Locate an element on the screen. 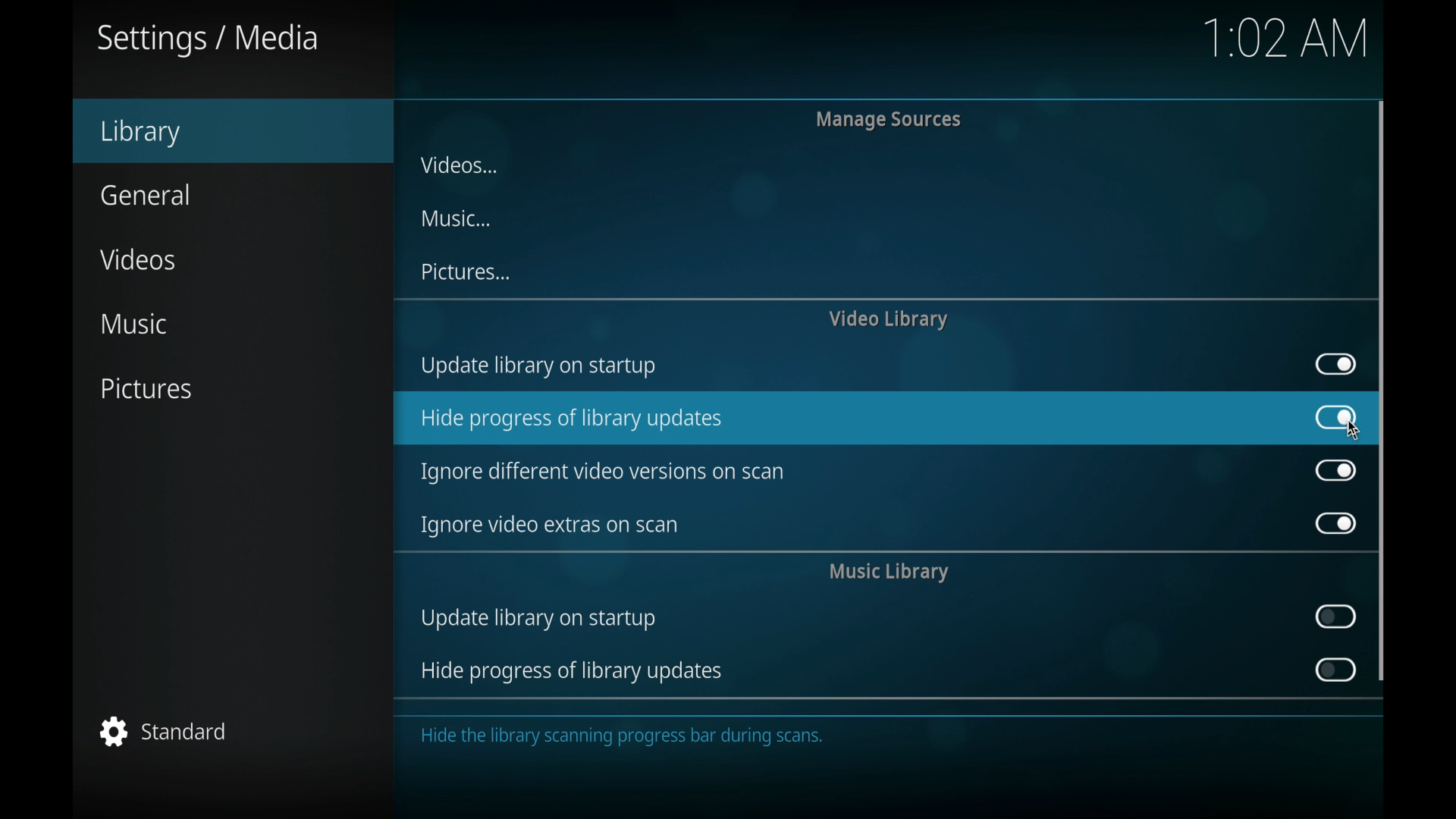 The width and height of the screenshot is (1456, 819). music is located at coordinates (457, 219).